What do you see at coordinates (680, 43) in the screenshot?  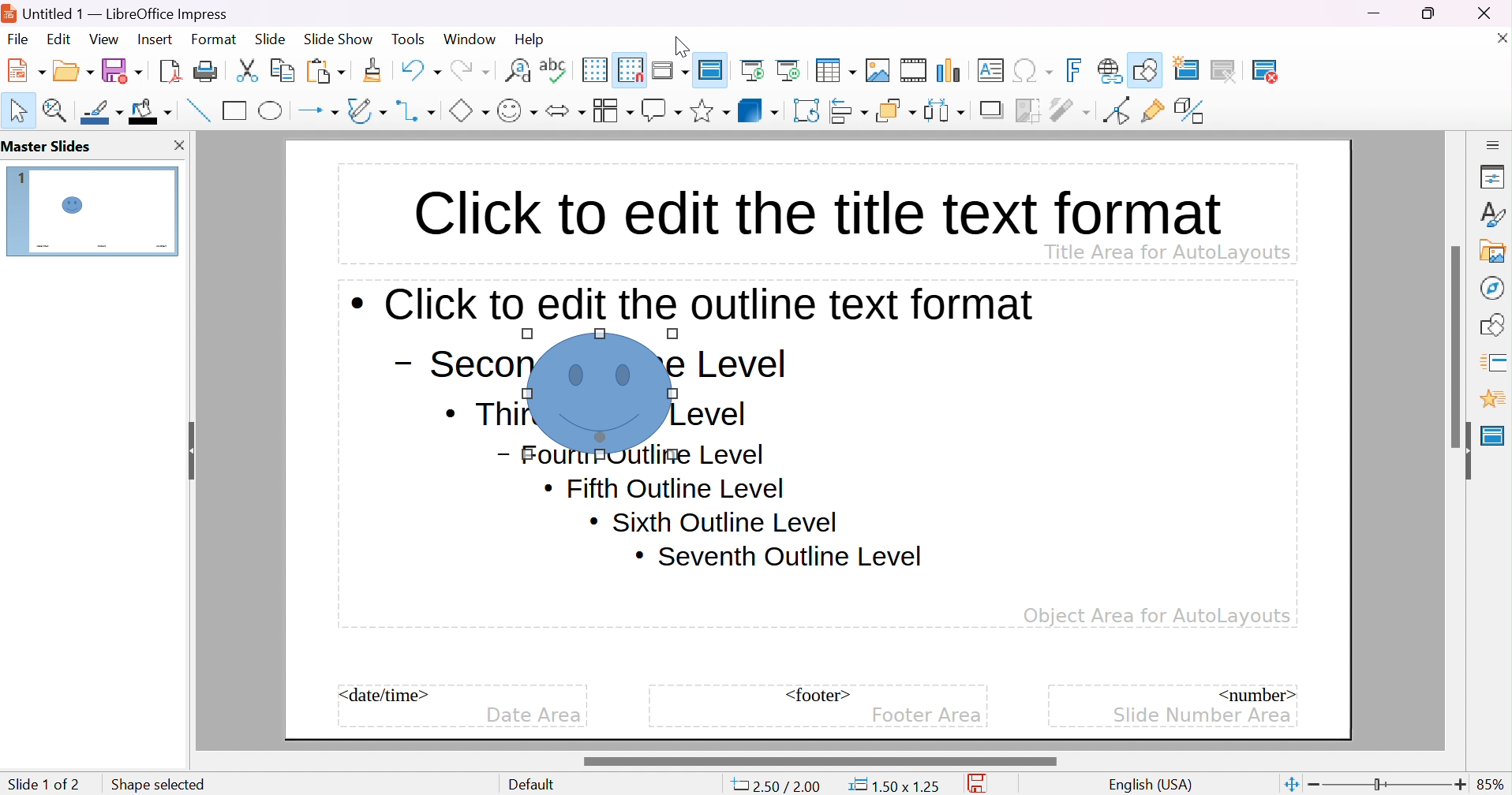 I see `cursor` at bounding box center [680, 43].